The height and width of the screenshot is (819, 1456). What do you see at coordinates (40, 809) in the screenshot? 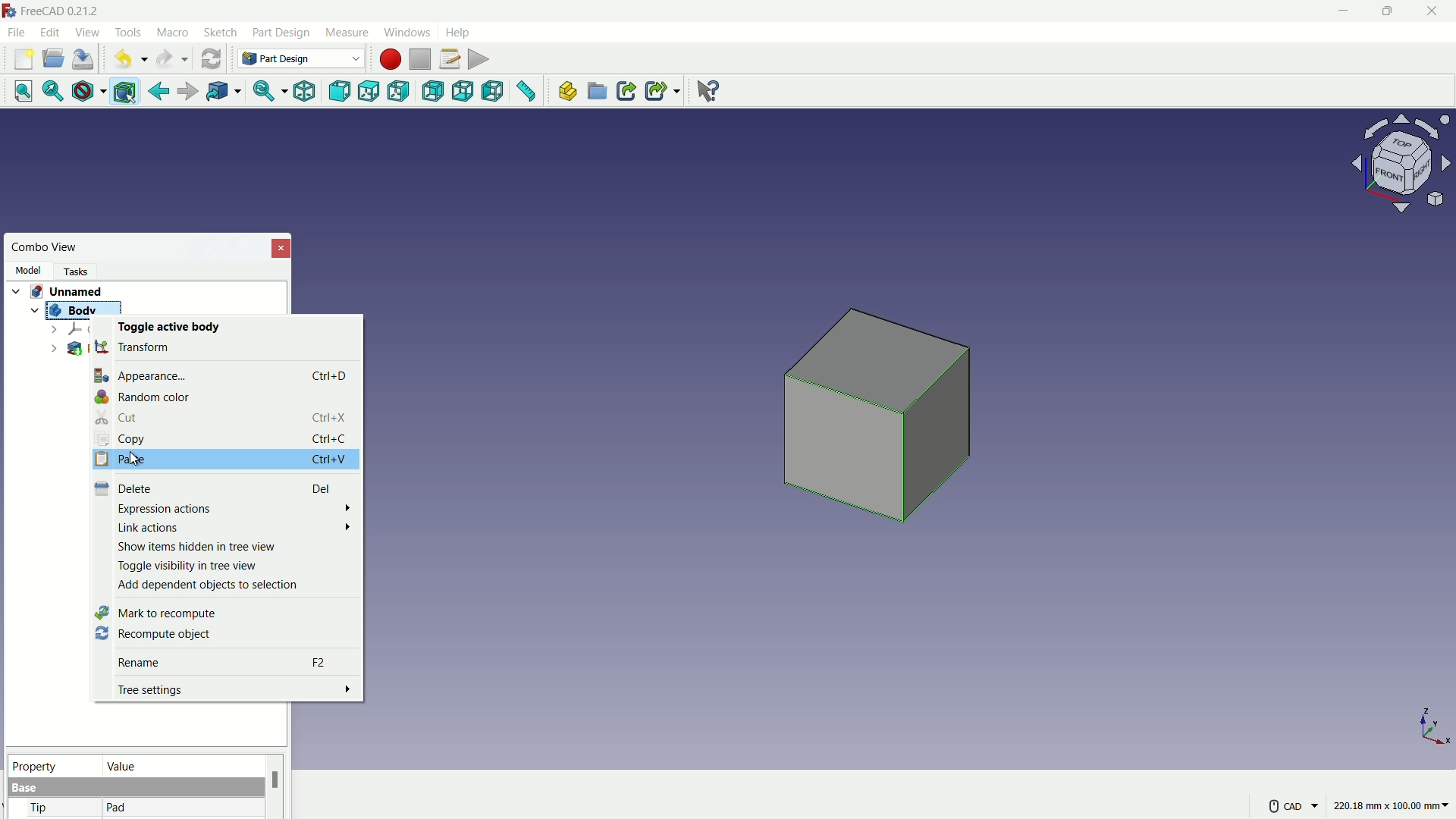
I see `tip` at bounding box center [40, 809].